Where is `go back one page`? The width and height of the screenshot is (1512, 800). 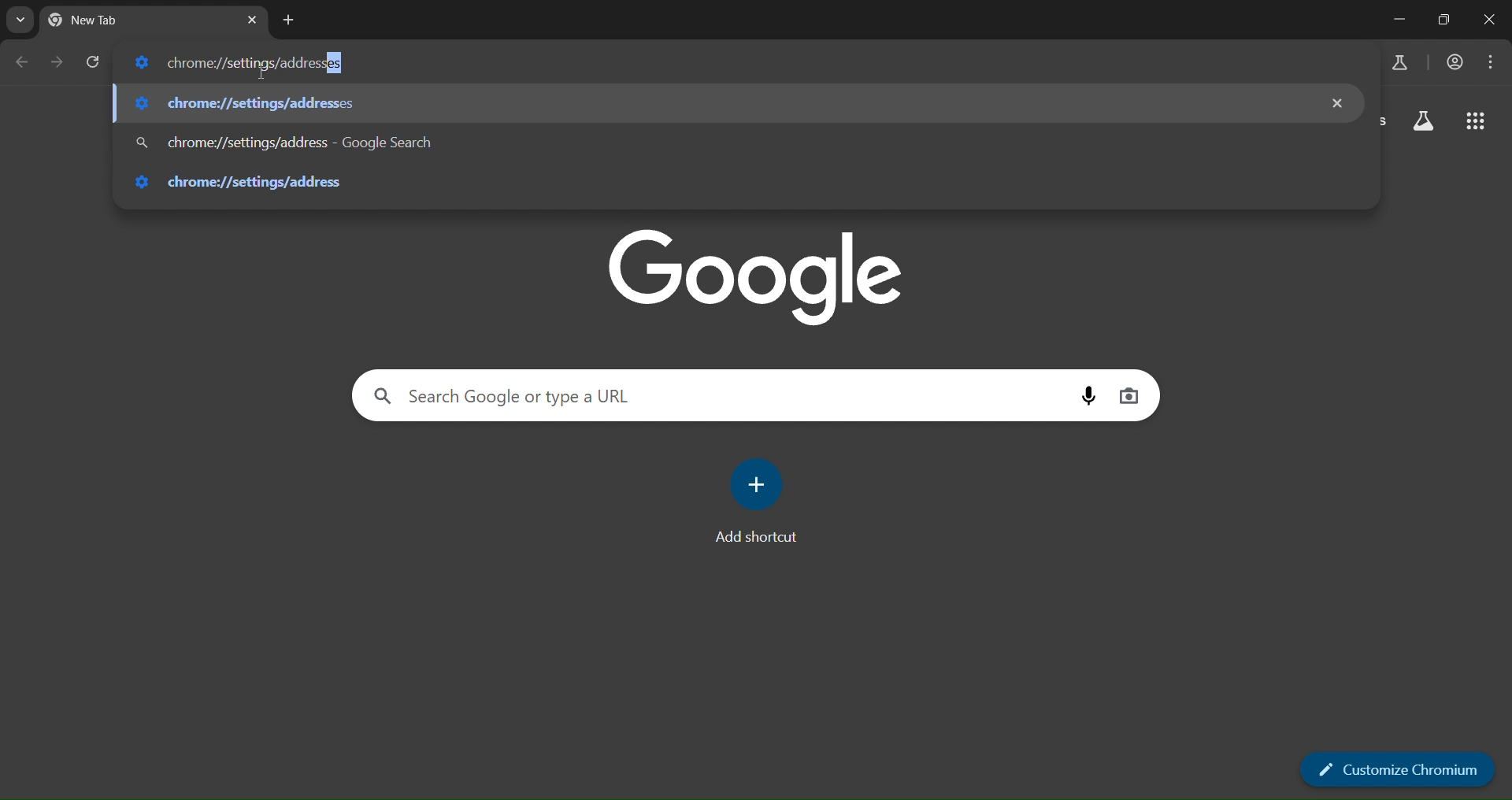 go back one page is located at coordinates (24, 61).